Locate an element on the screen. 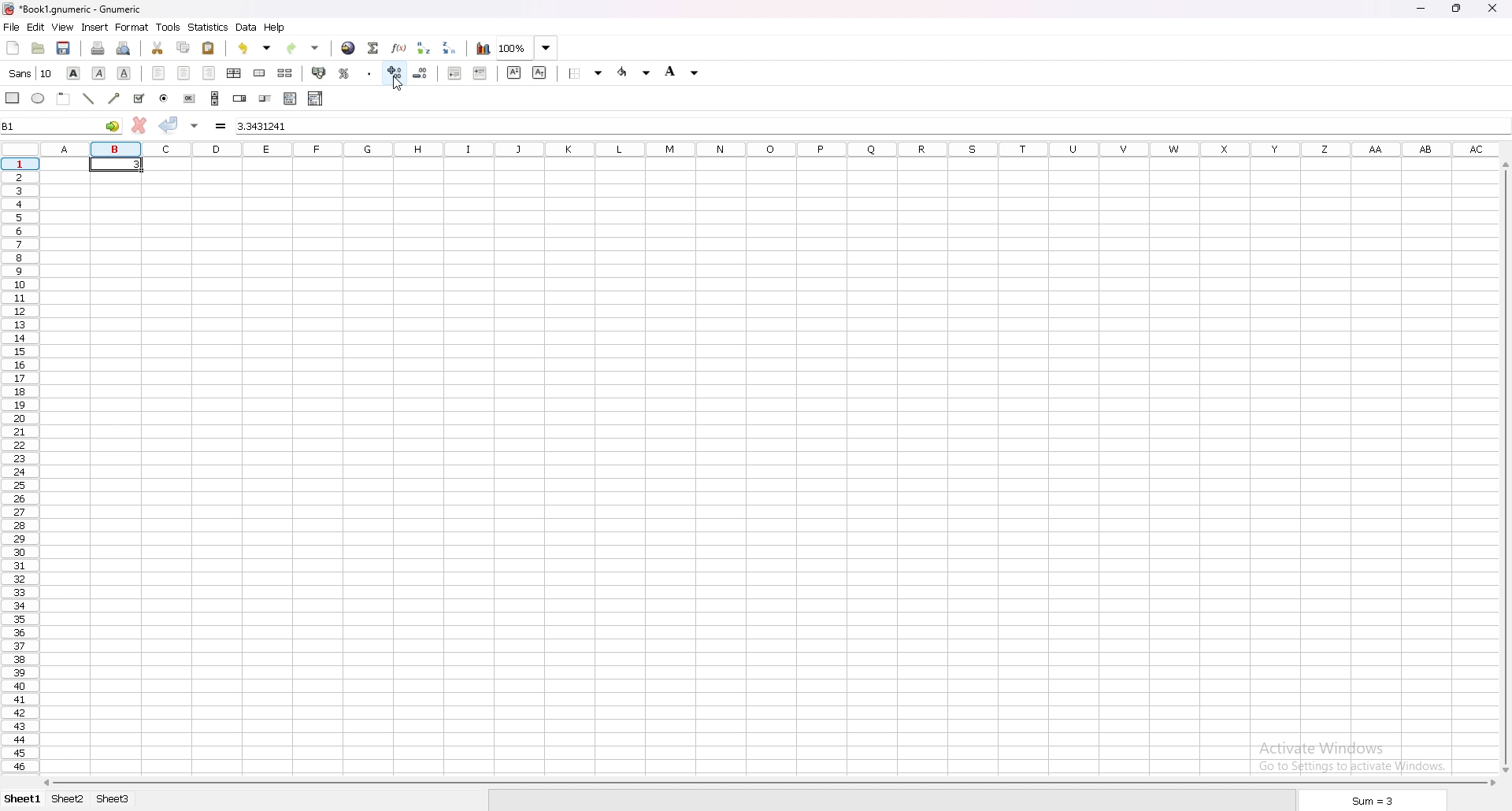  accounting is located at coordinates (321, 72).